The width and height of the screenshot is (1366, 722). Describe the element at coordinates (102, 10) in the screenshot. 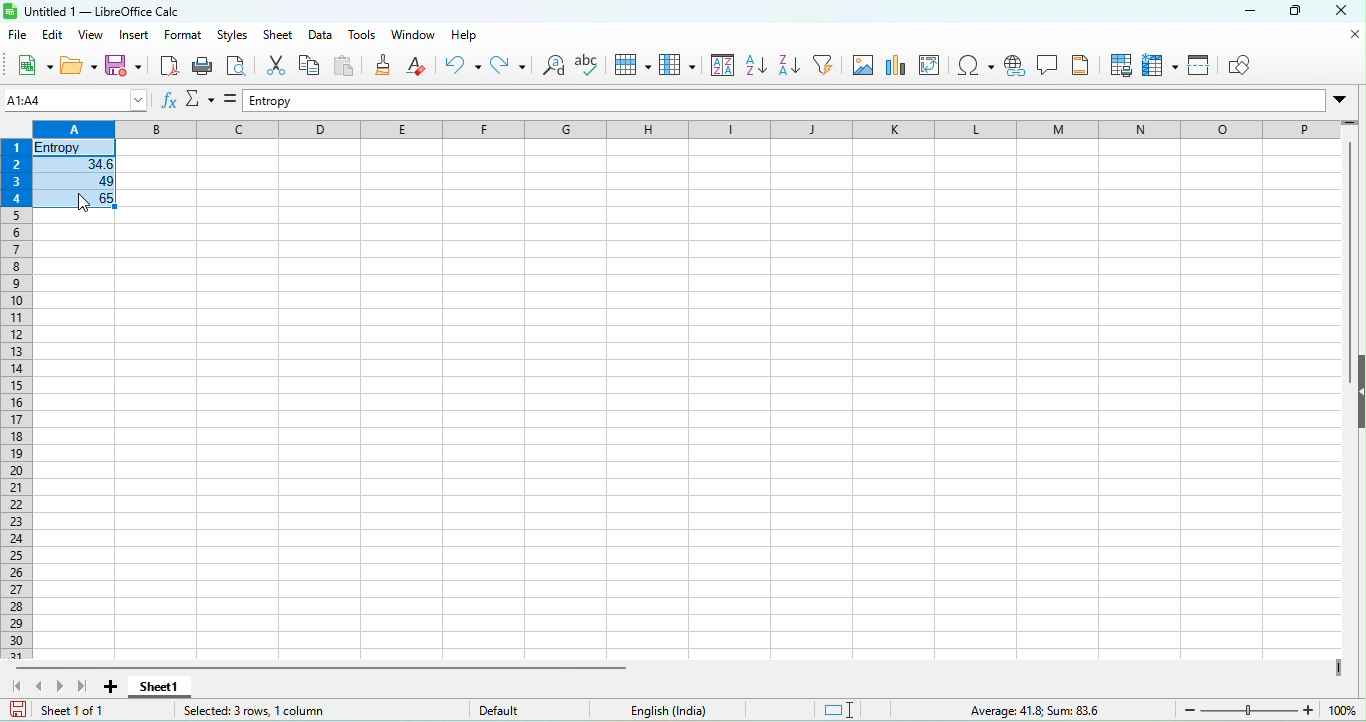

I see `untitled 1-libre office calc` at that location.